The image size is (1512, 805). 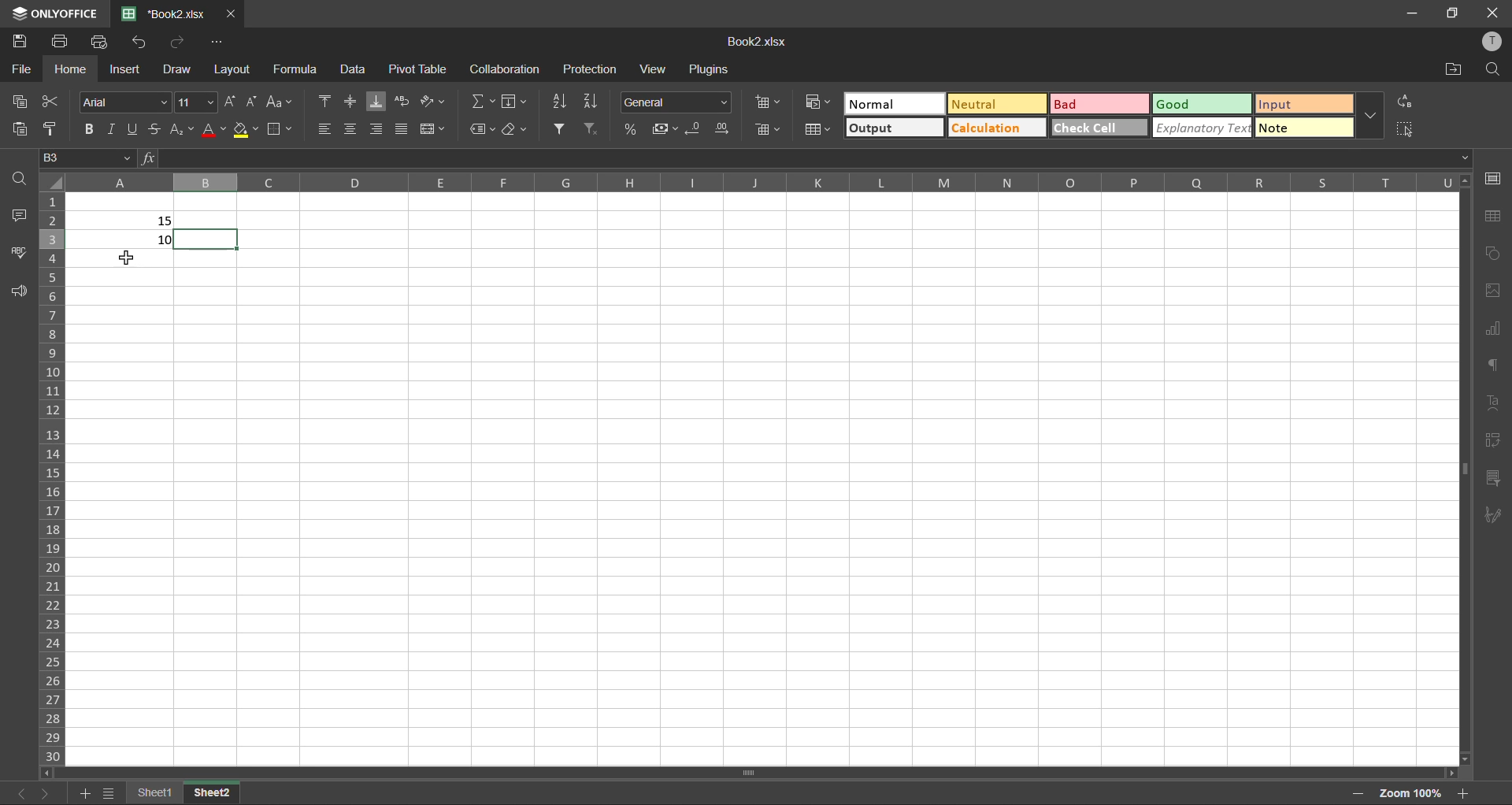 What do you see at coordinates (252, 100) in the screenshot?
I see `decrement size` at bounding box center [252, 100].